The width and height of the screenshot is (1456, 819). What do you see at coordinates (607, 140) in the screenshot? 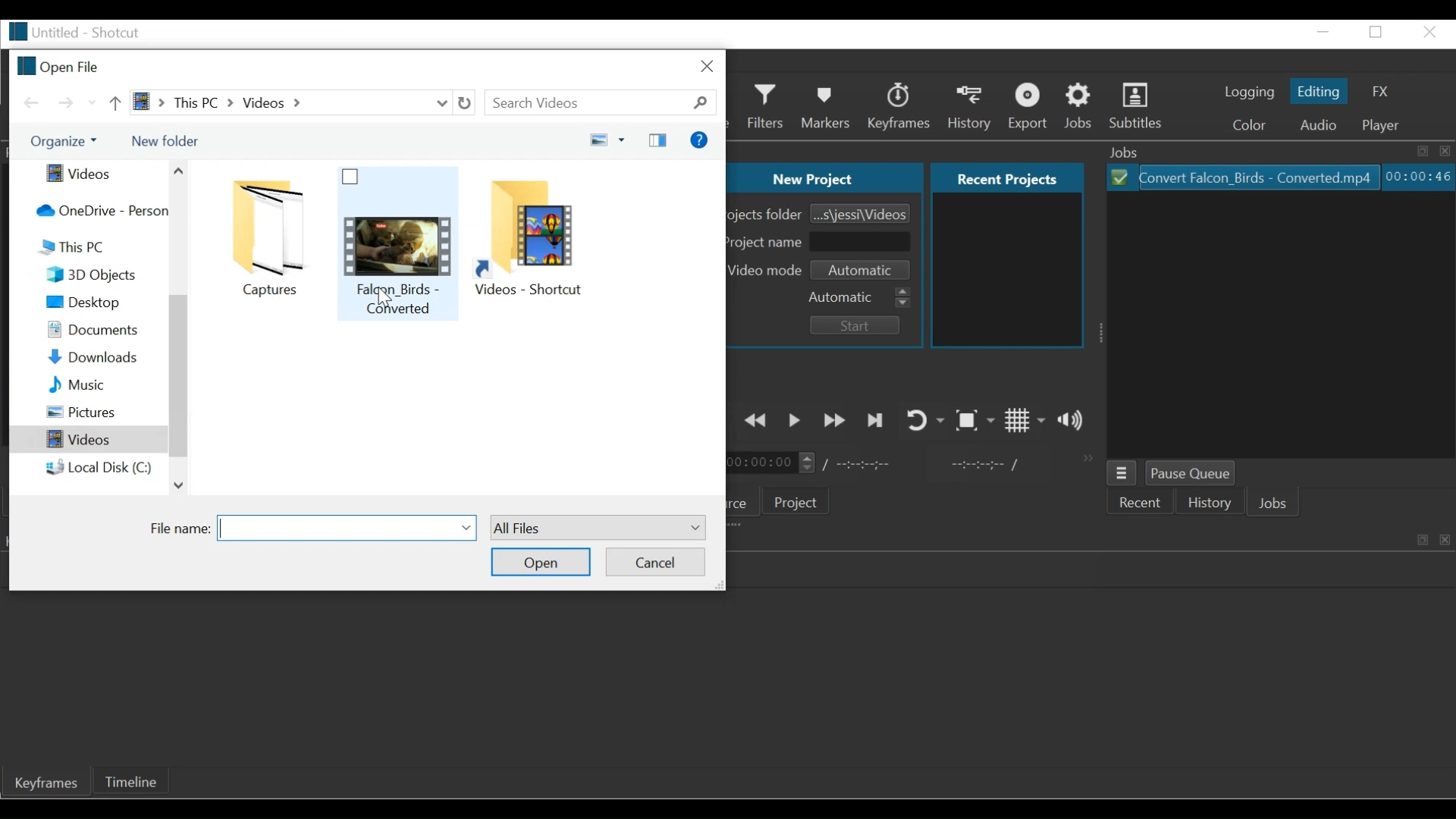
I see `Change your view` at bounding box center [607, 140].